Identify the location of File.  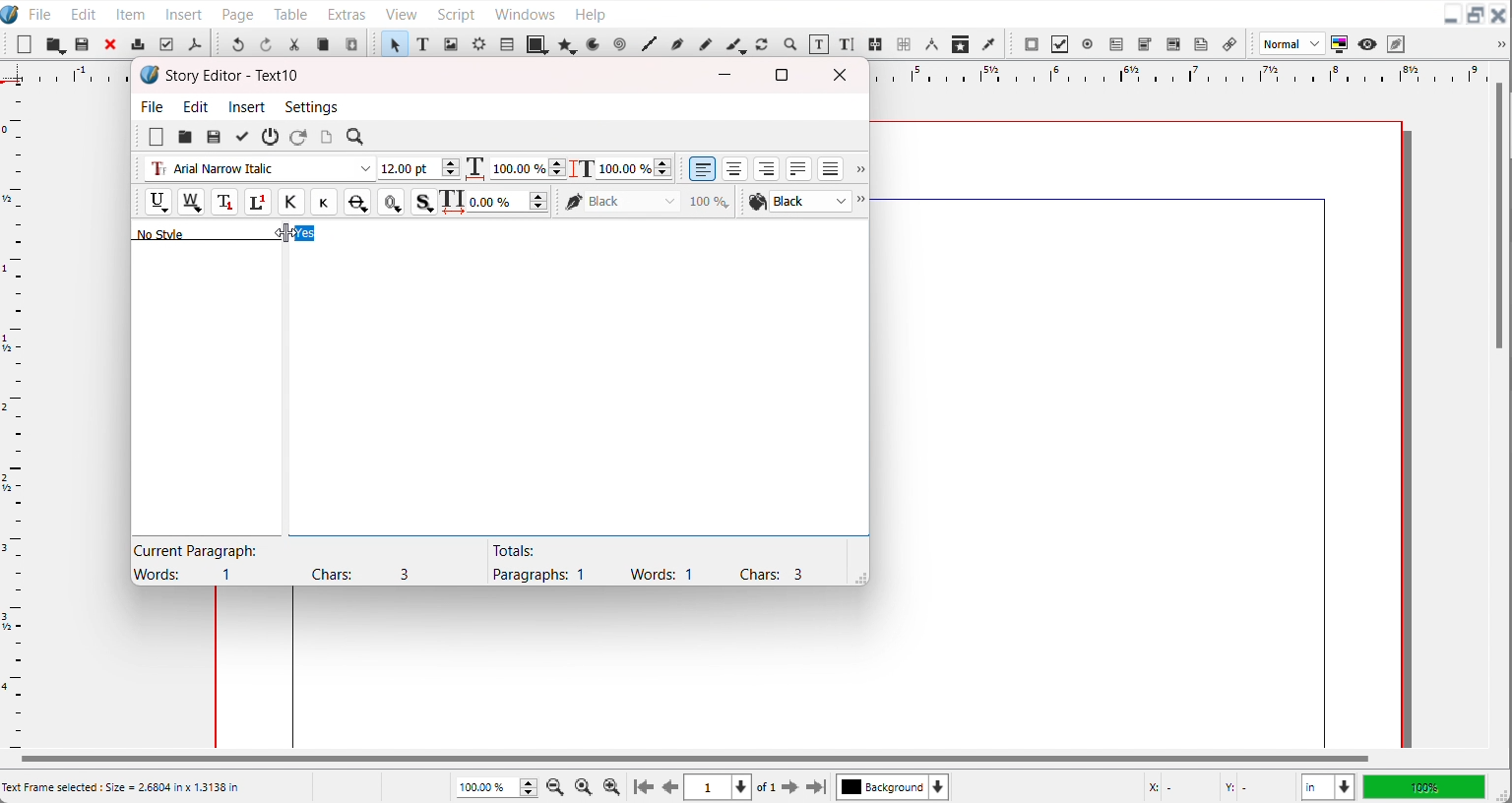
(154, 105).